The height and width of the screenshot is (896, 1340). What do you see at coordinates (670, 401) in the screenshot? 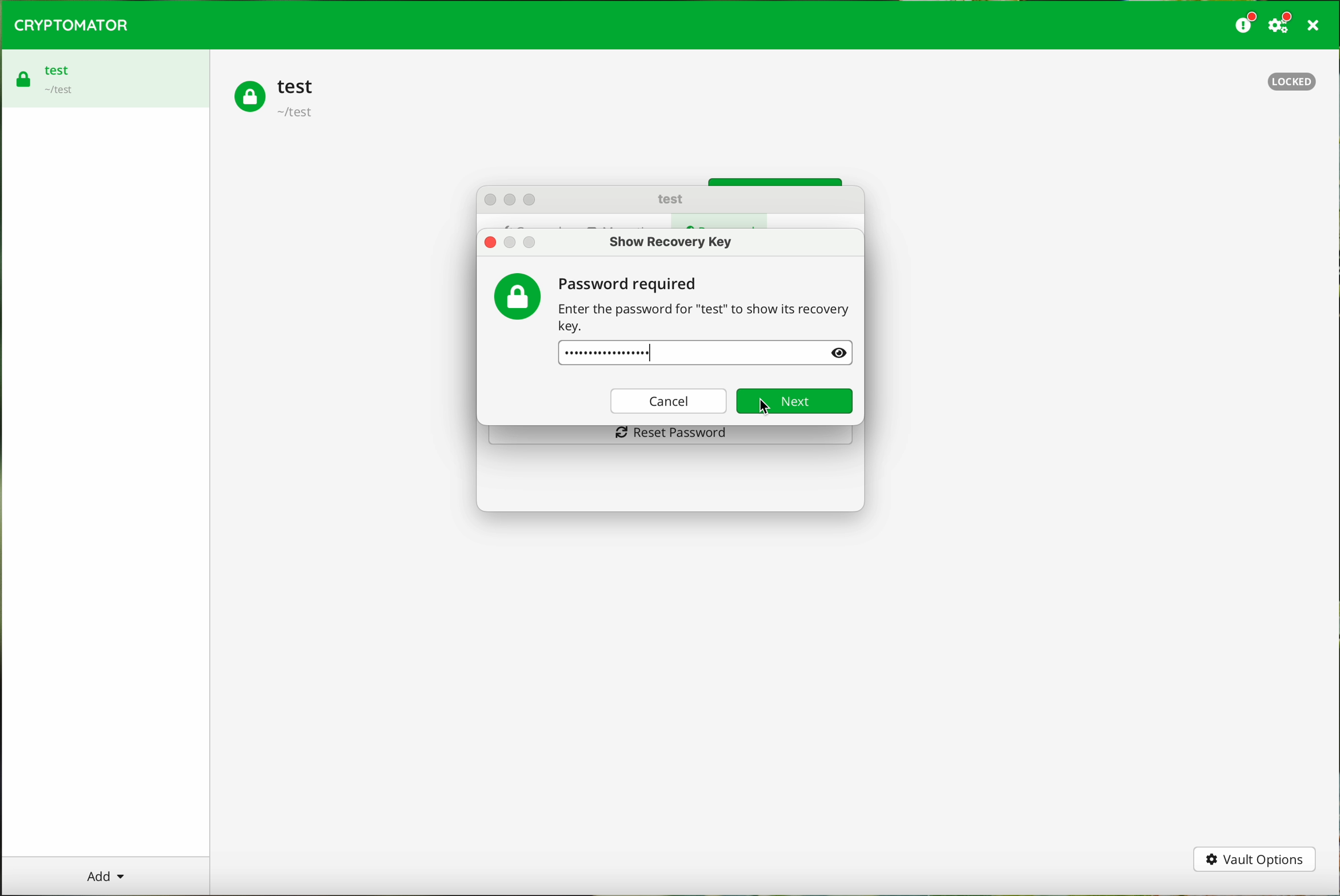
I see `cancel ` at bounding box center [670, 401].